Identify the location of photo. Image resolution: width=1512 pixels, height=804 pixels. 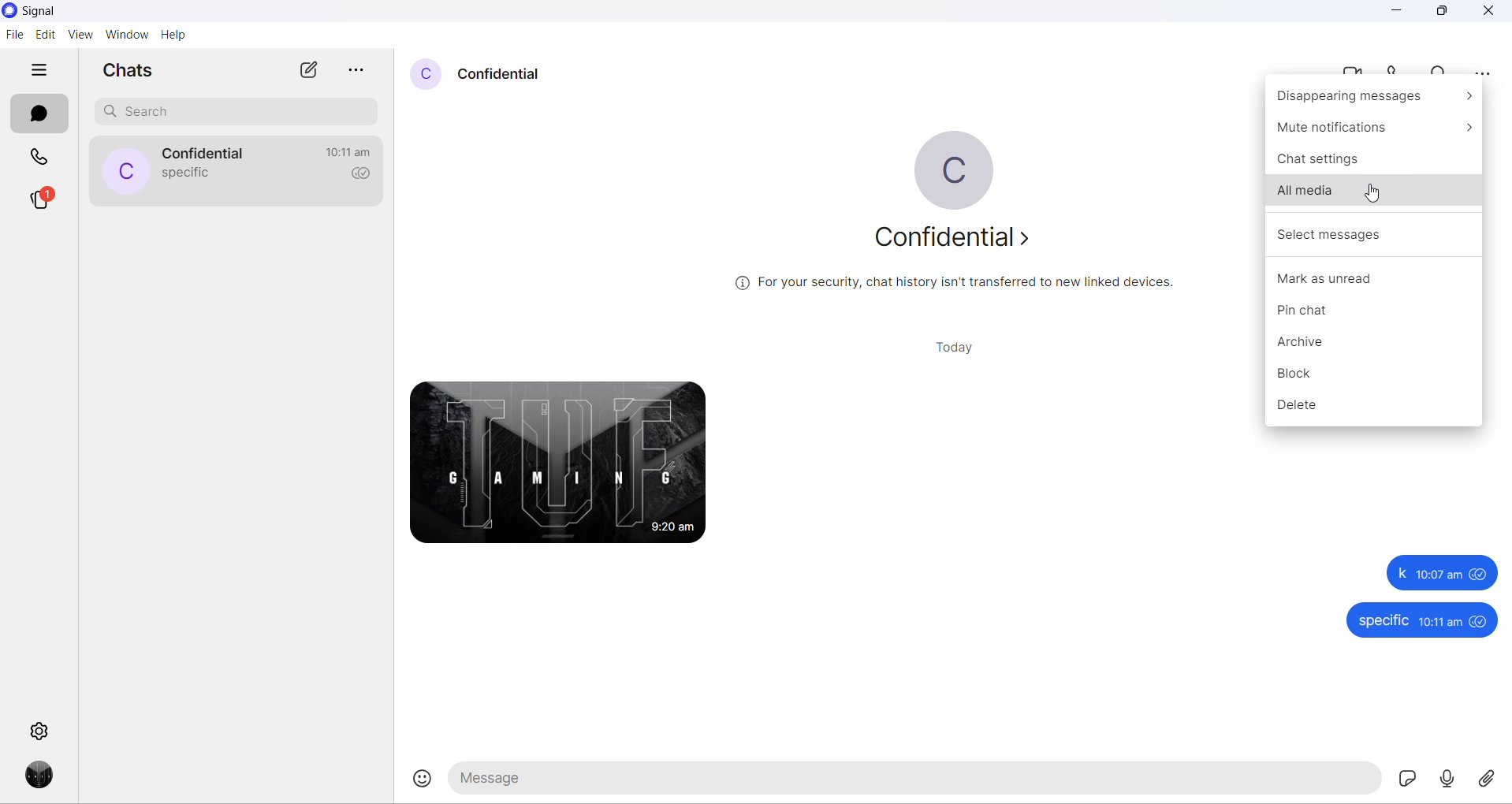
(558, 462).